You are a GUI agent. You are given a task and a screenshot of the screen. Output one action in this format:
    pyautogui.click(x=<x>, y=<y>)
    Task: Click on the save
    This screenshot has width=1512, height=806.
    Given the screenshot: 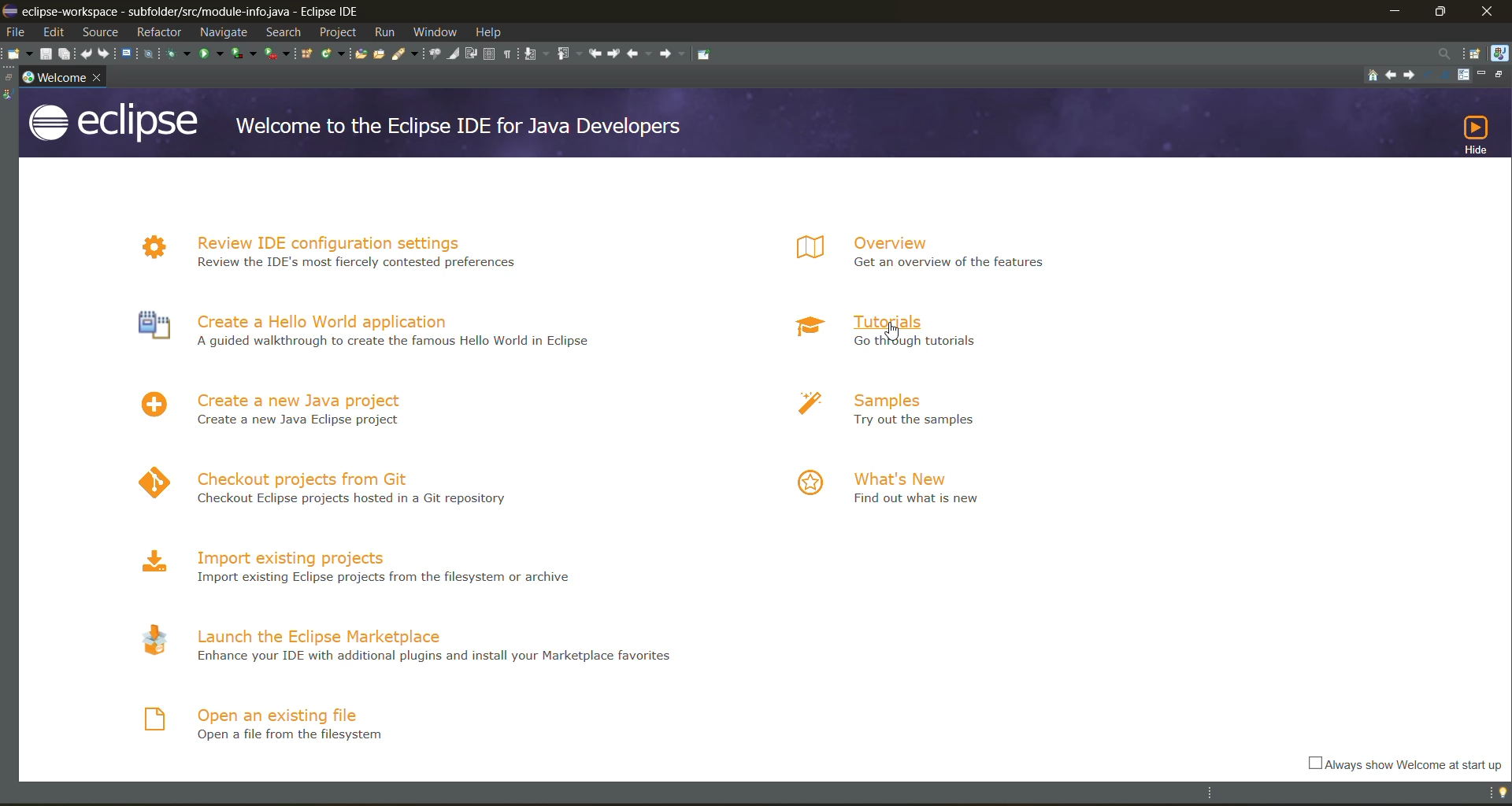 What is the action you would take?
    pyautogui.click(x=47, y=54)
    